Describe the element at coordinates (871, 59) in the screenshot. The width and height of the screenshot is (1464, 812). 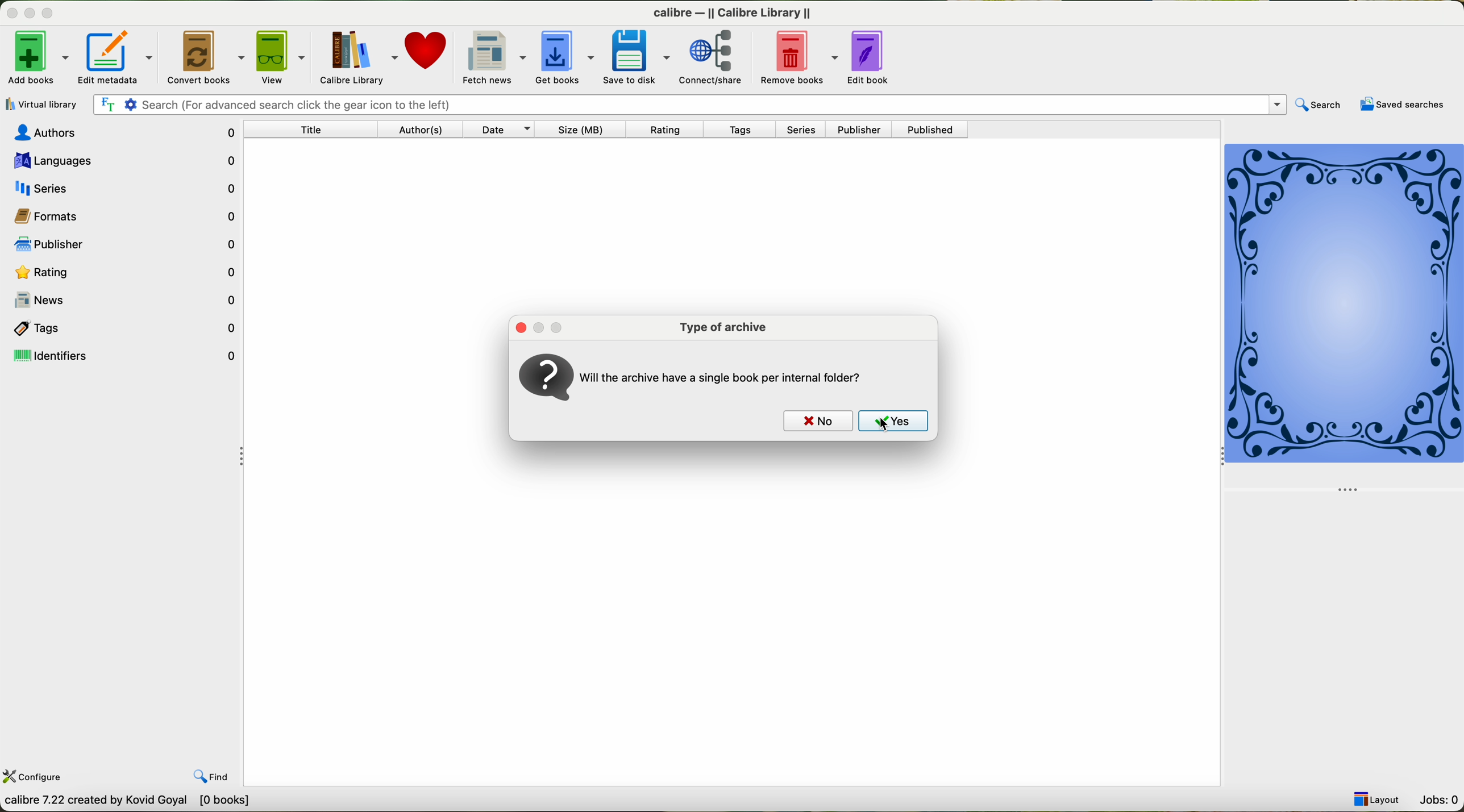
I see `edit book` at that location.